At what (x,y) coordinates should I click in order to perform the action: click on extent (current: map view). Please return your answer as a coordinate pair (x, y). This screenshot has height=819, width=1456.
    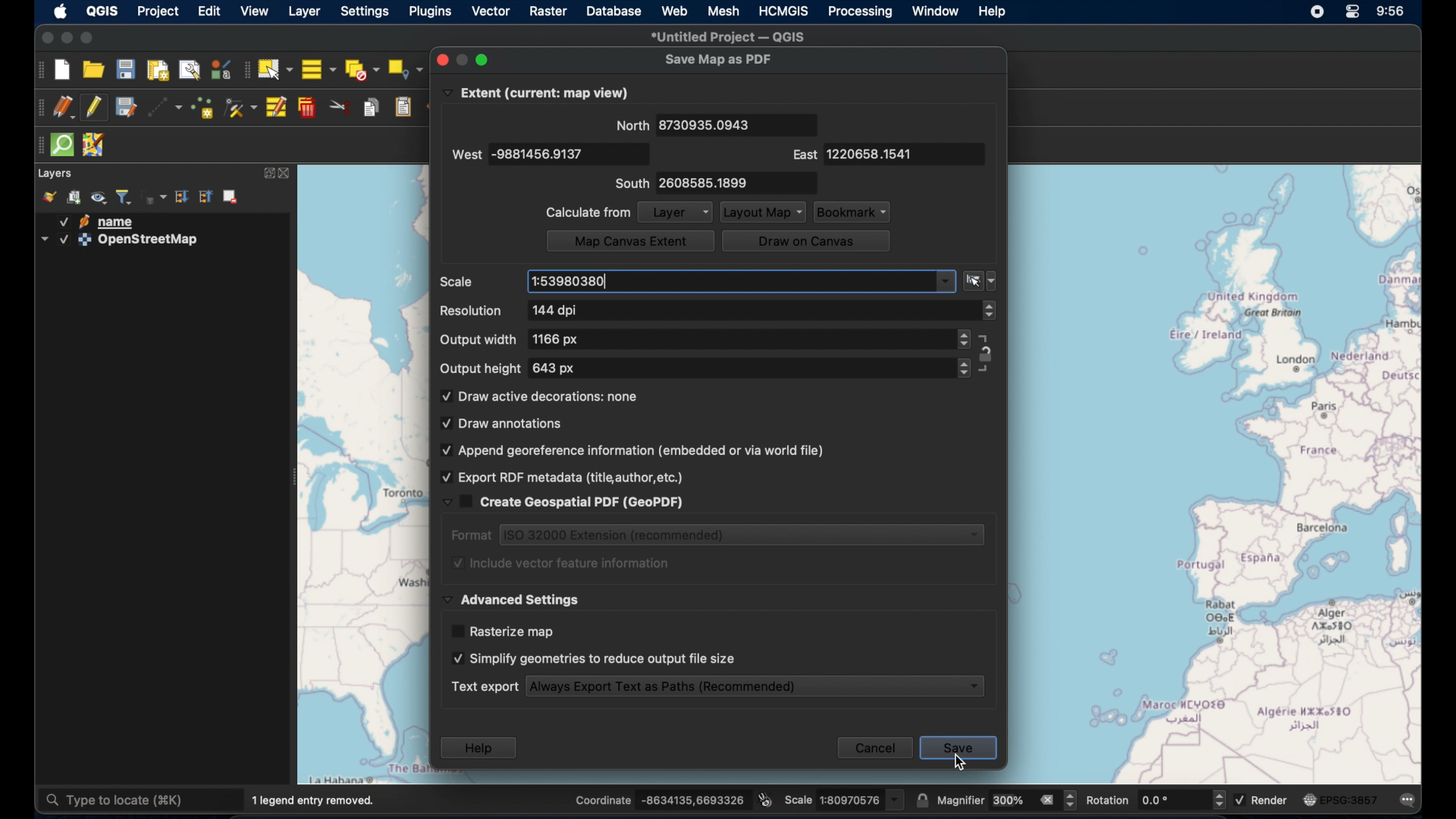
    Looking at the image, I should click on (538, 93).